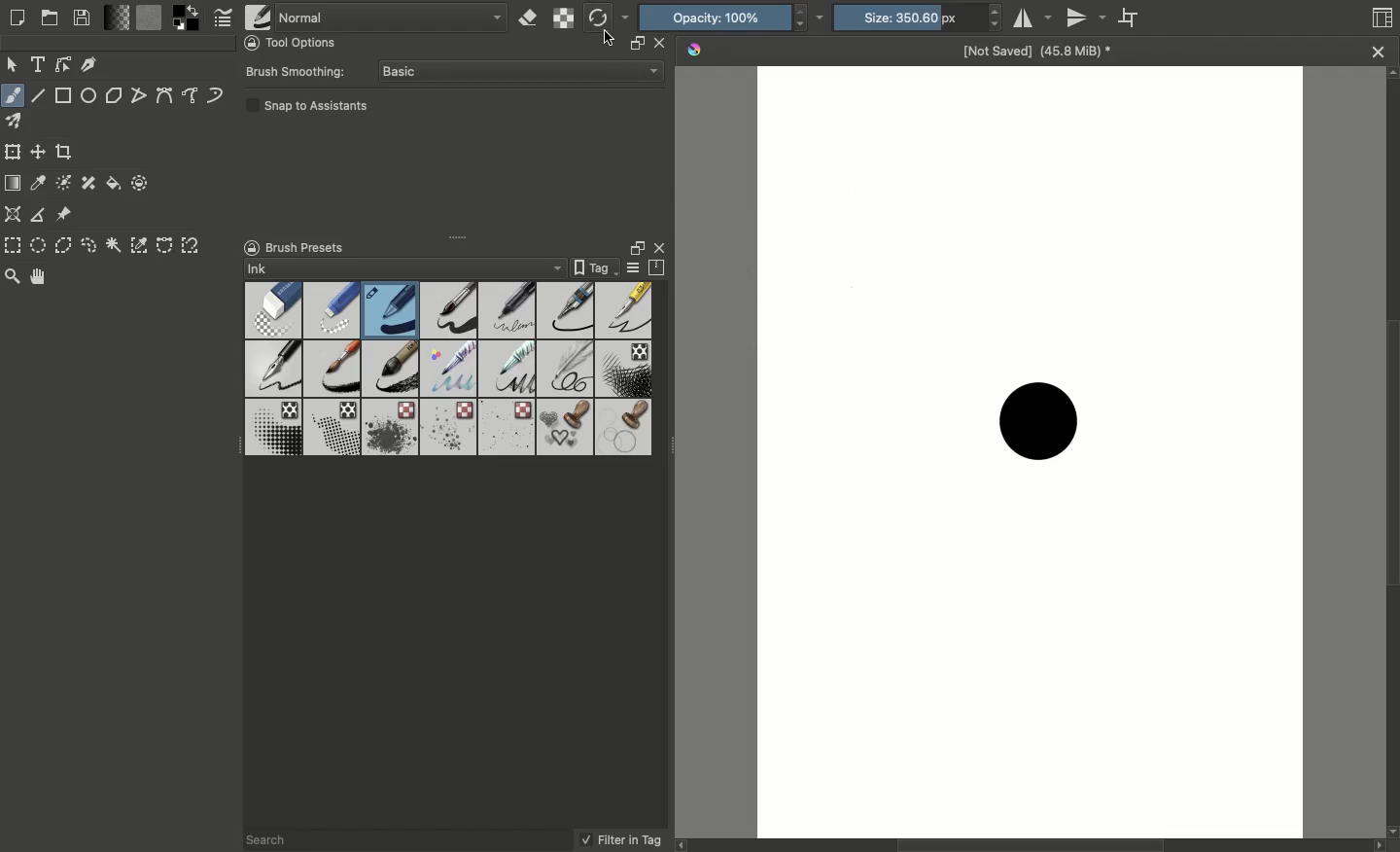 The width and height of the screenshot is (1400, 852). What do you see at coordinates (39, 215) in the screenshot?
I see `Measure distance` at bounding box center [39, 215].